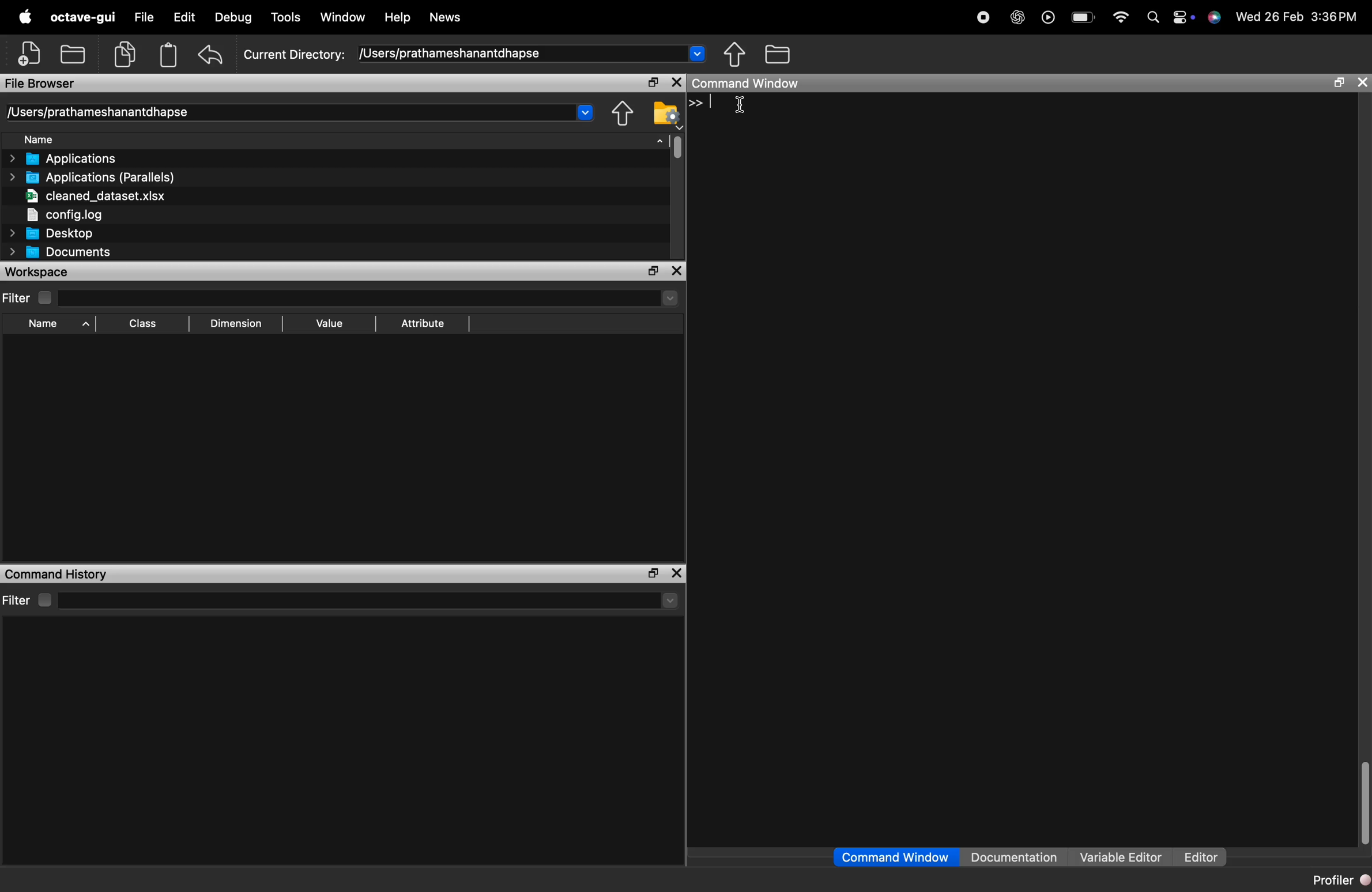  I want to click on recording, so click(986, 17).